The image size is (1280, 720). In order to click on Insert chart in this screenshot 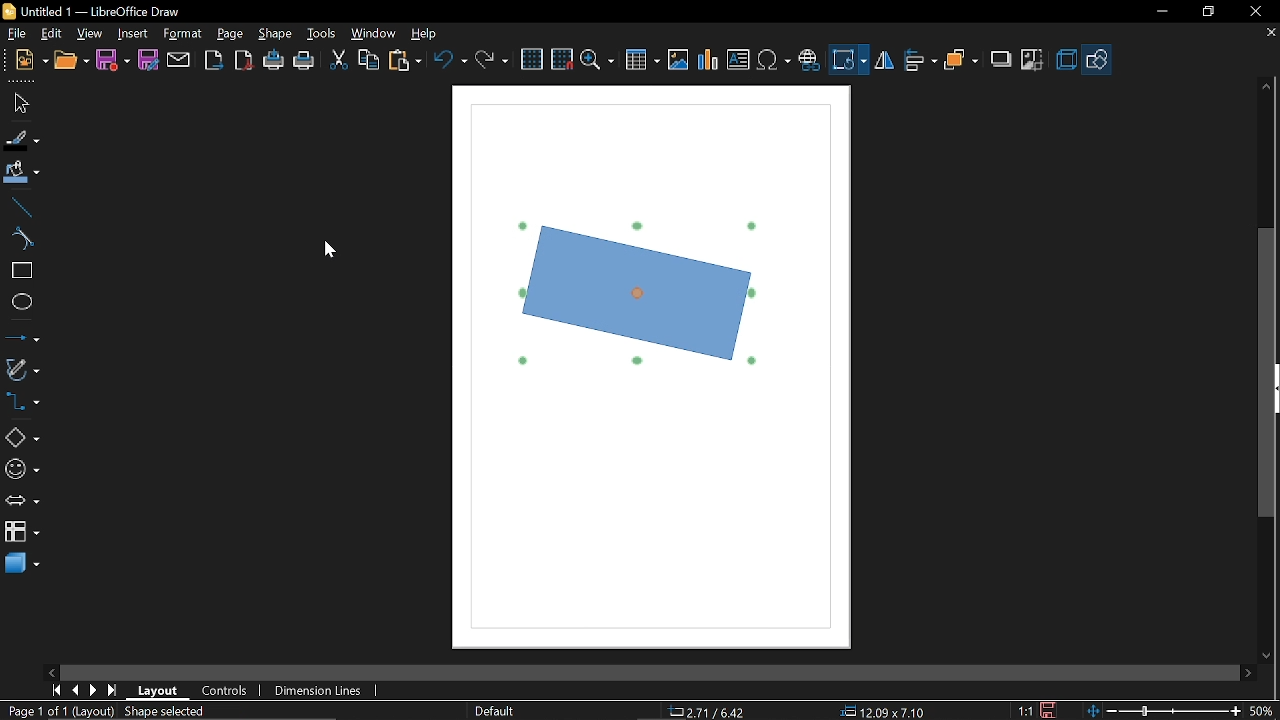, I will do `click(707, 60)`.